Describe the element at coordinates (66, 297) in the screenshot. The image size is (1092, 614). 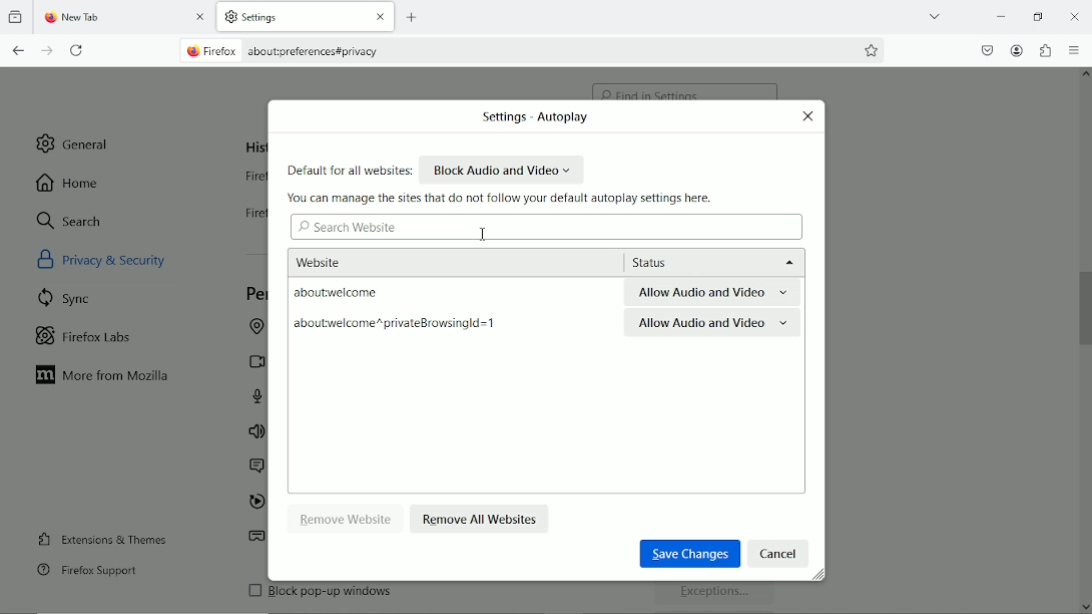
I see `sync` at that location.